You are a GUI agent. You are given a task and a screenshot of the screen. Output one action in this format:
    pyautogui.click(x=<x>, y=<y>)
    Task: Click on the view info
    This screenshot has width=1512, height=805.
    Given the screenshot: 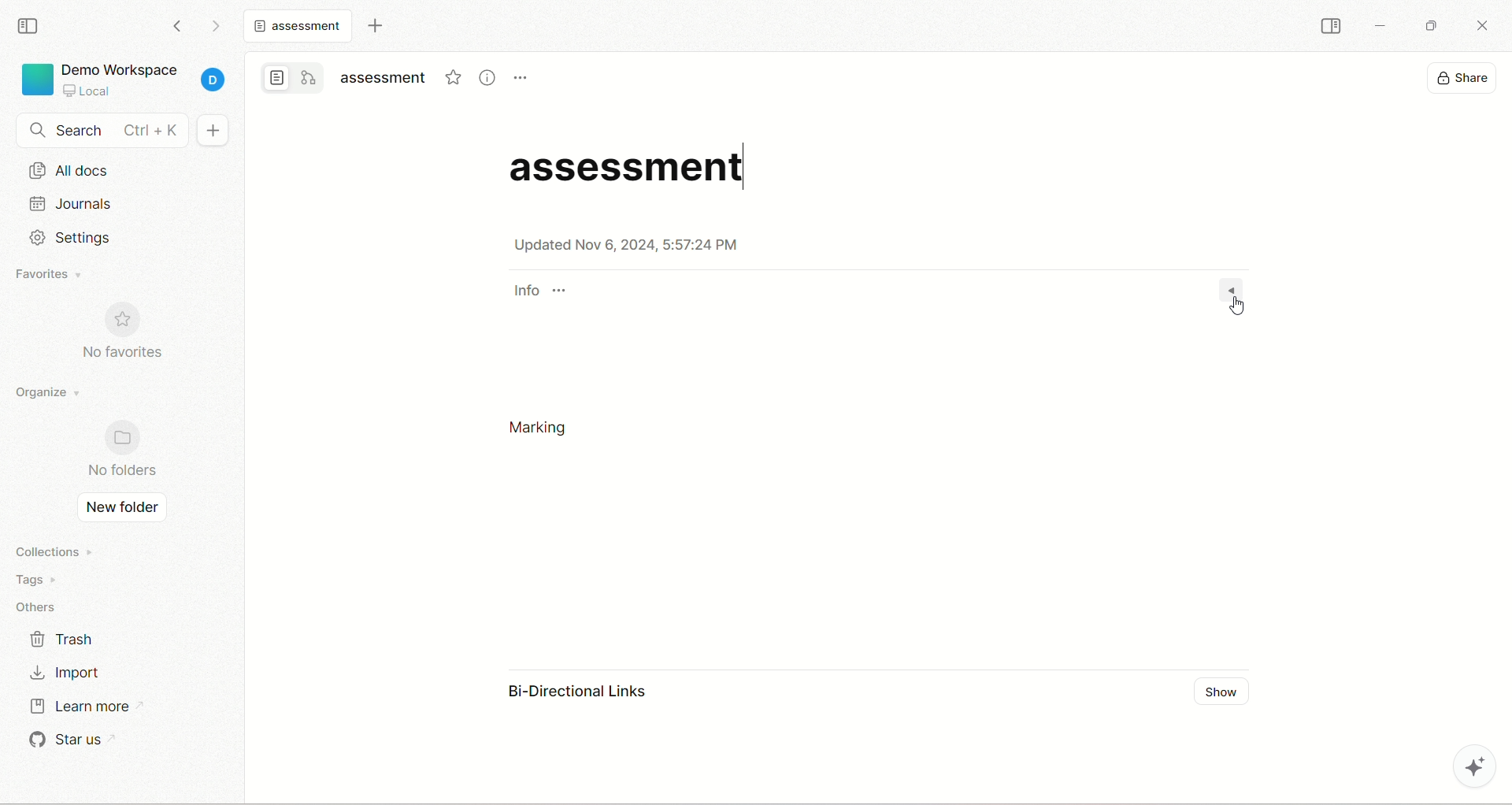 What is the action you would take?
    pyautogui.click(x=487, y=76)
    